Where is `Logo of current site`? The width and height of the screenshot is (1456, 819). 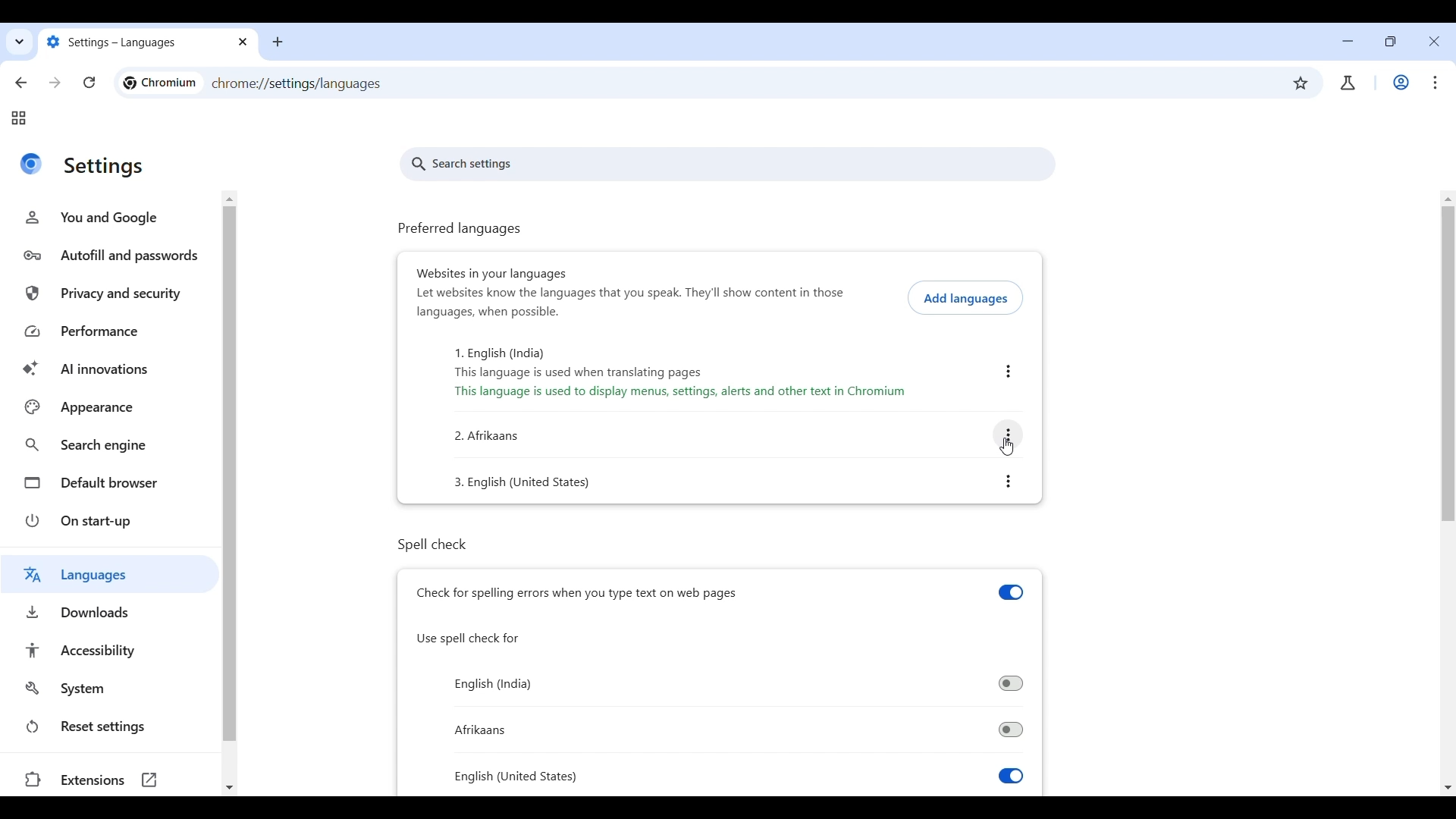
Logo of current site is located at coordinates (30, 164).